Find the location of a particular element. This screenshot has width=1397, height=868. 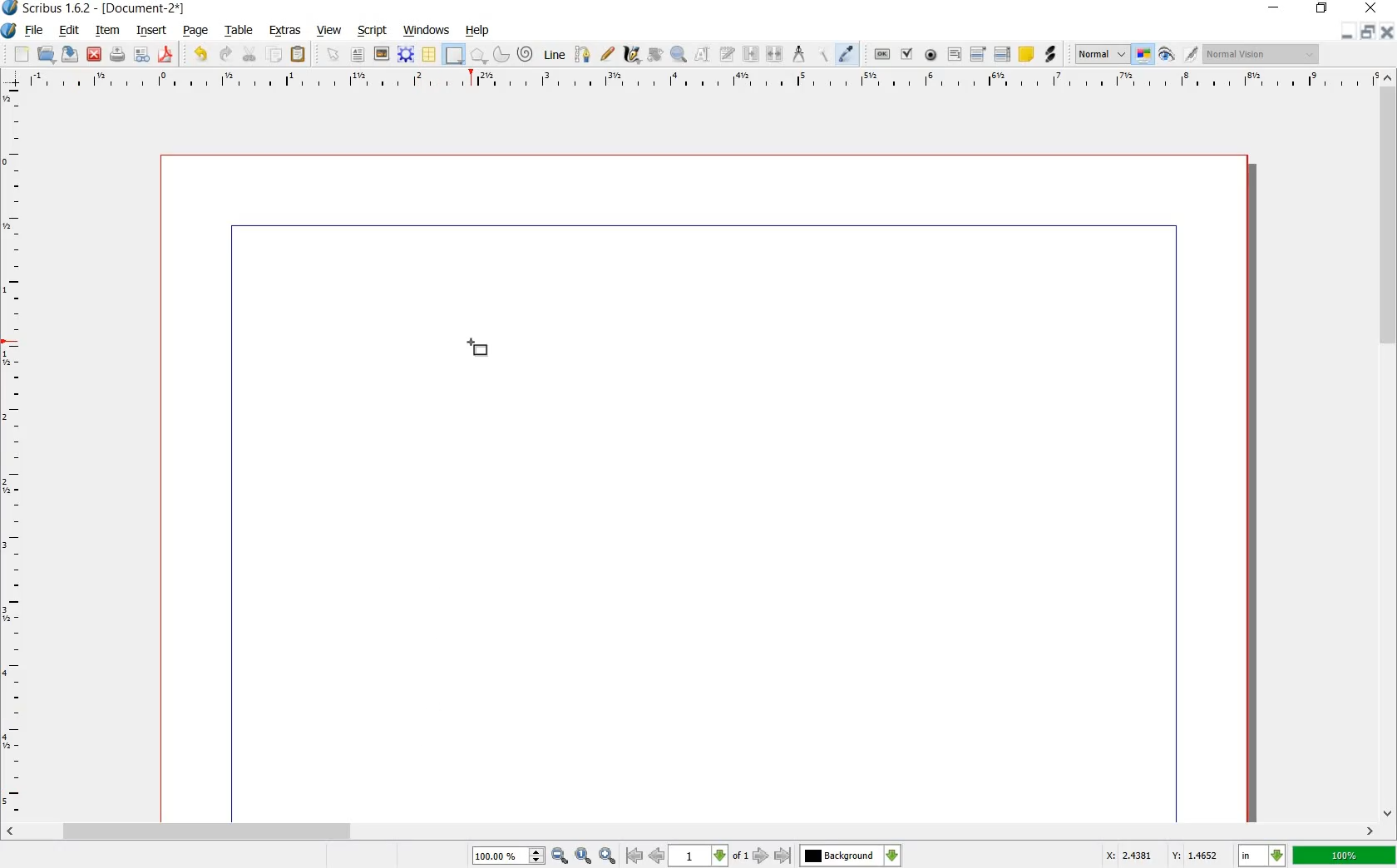

100% is located at coordinates (1344, 856).